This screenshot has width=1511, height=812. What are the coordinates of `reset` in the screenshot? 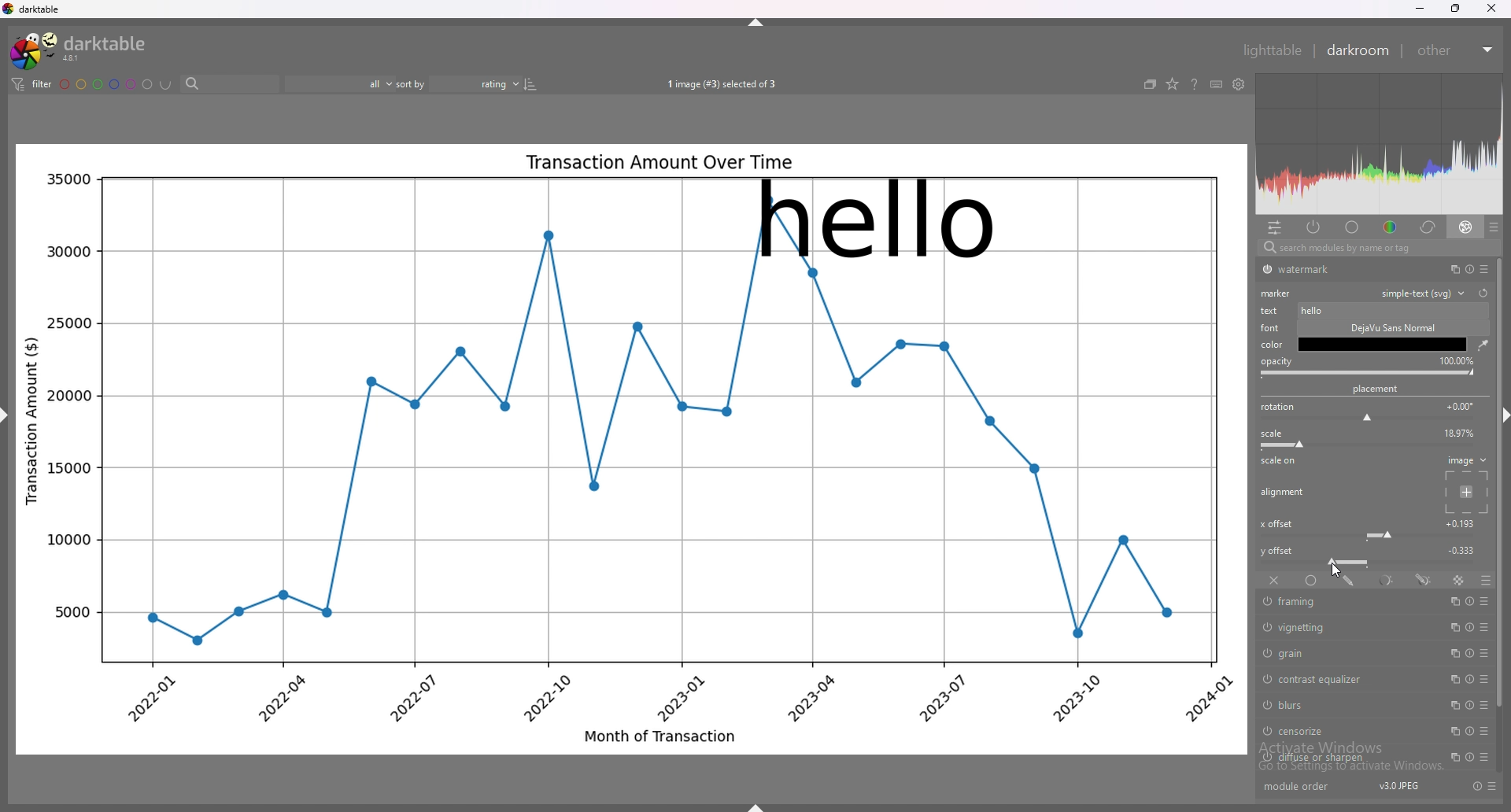 It's located at (1469, 653).